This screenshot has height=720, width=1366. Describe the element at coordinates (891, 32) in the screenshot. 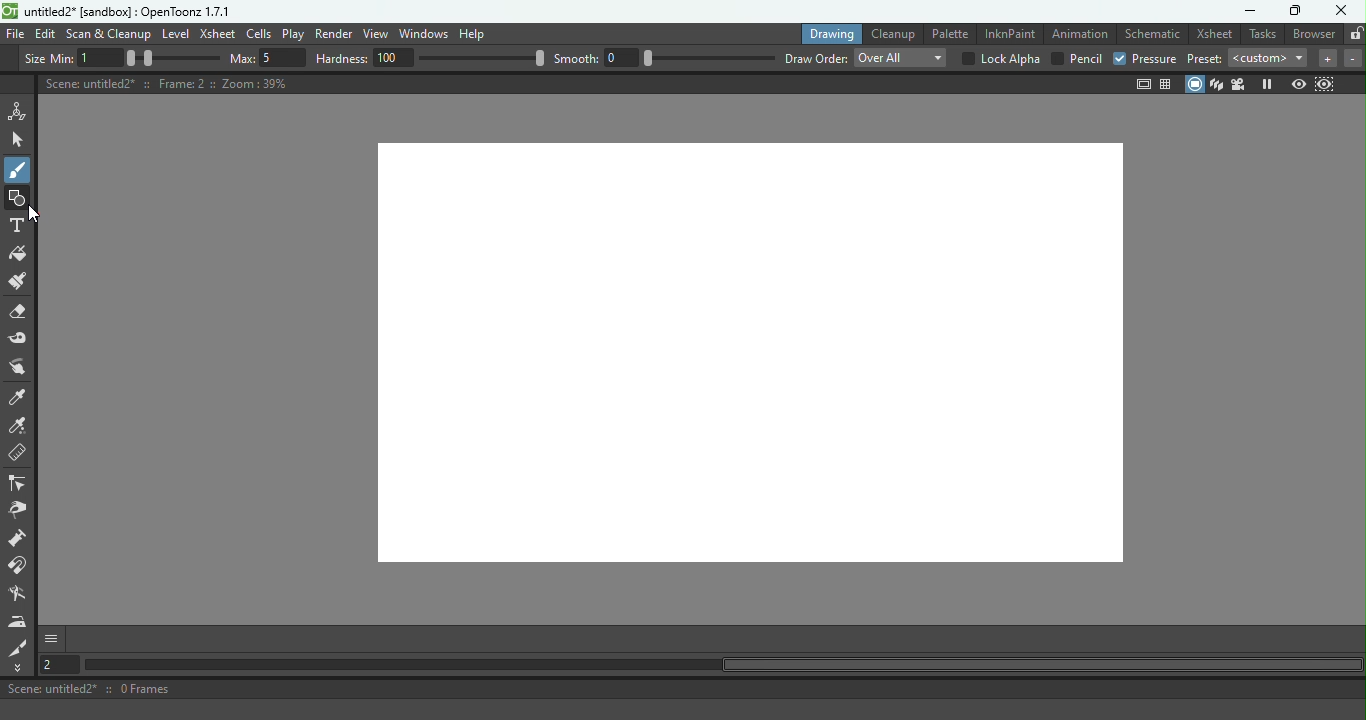

I see `Cleanup` at that location.